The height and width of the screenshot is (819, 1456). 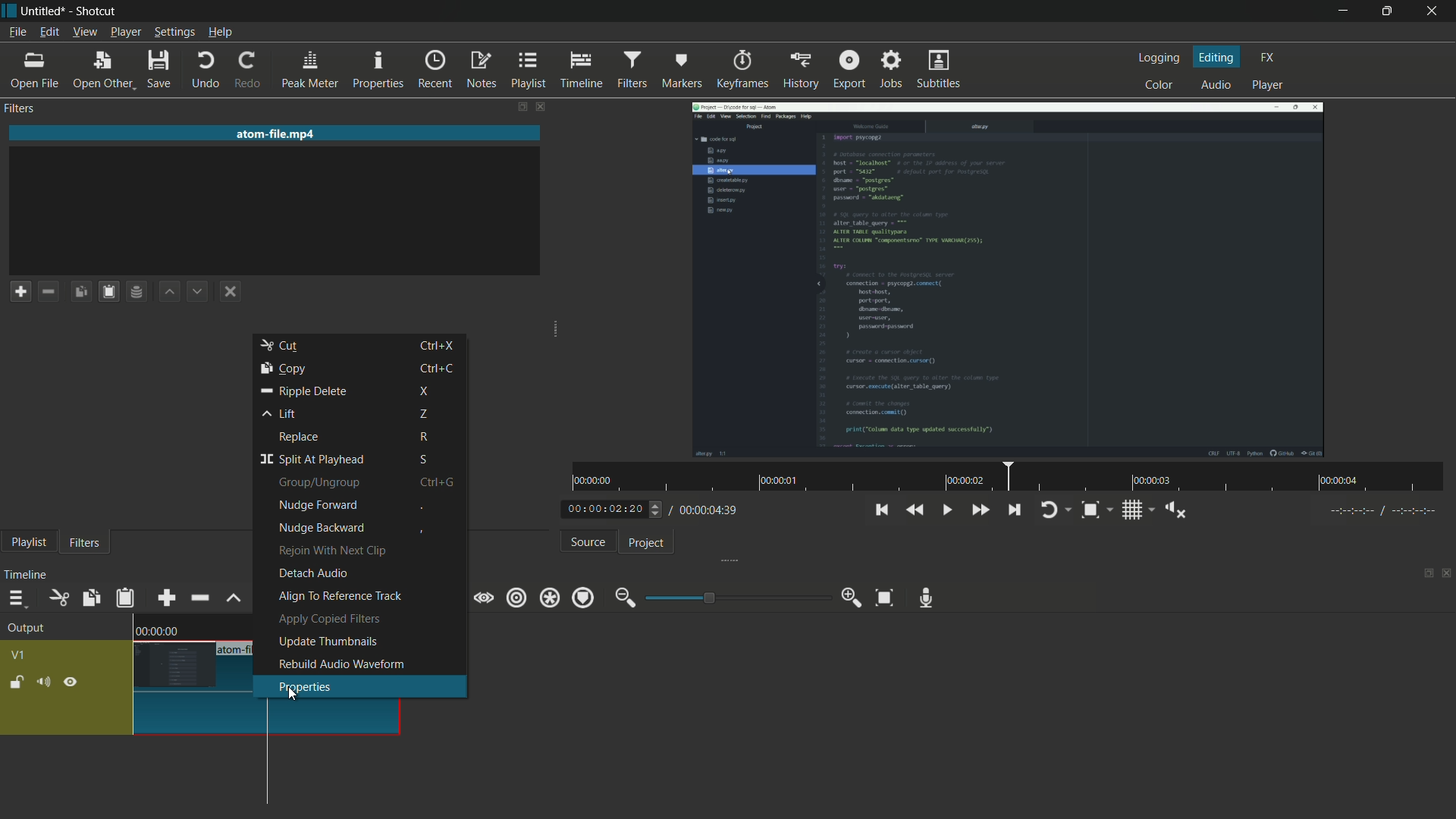 What do you see at coordinates (480, 71) in the screenshot?
I see `notes` at bounding box center [480, 71].